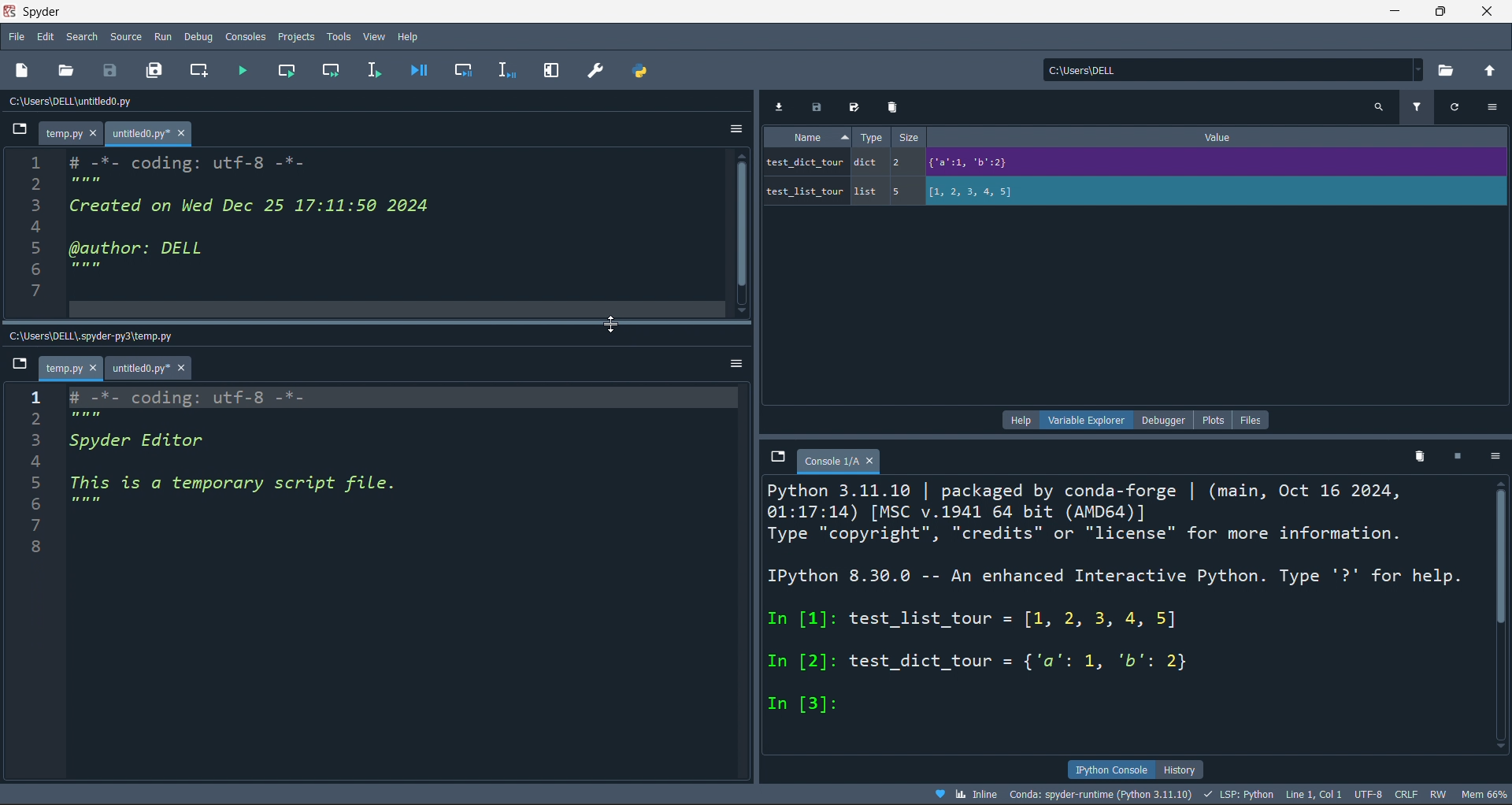 This screenshot has width=1512, height=805. Describe the element at coordinates (91, 505) in the screenshot. I see `6 """` at that location.